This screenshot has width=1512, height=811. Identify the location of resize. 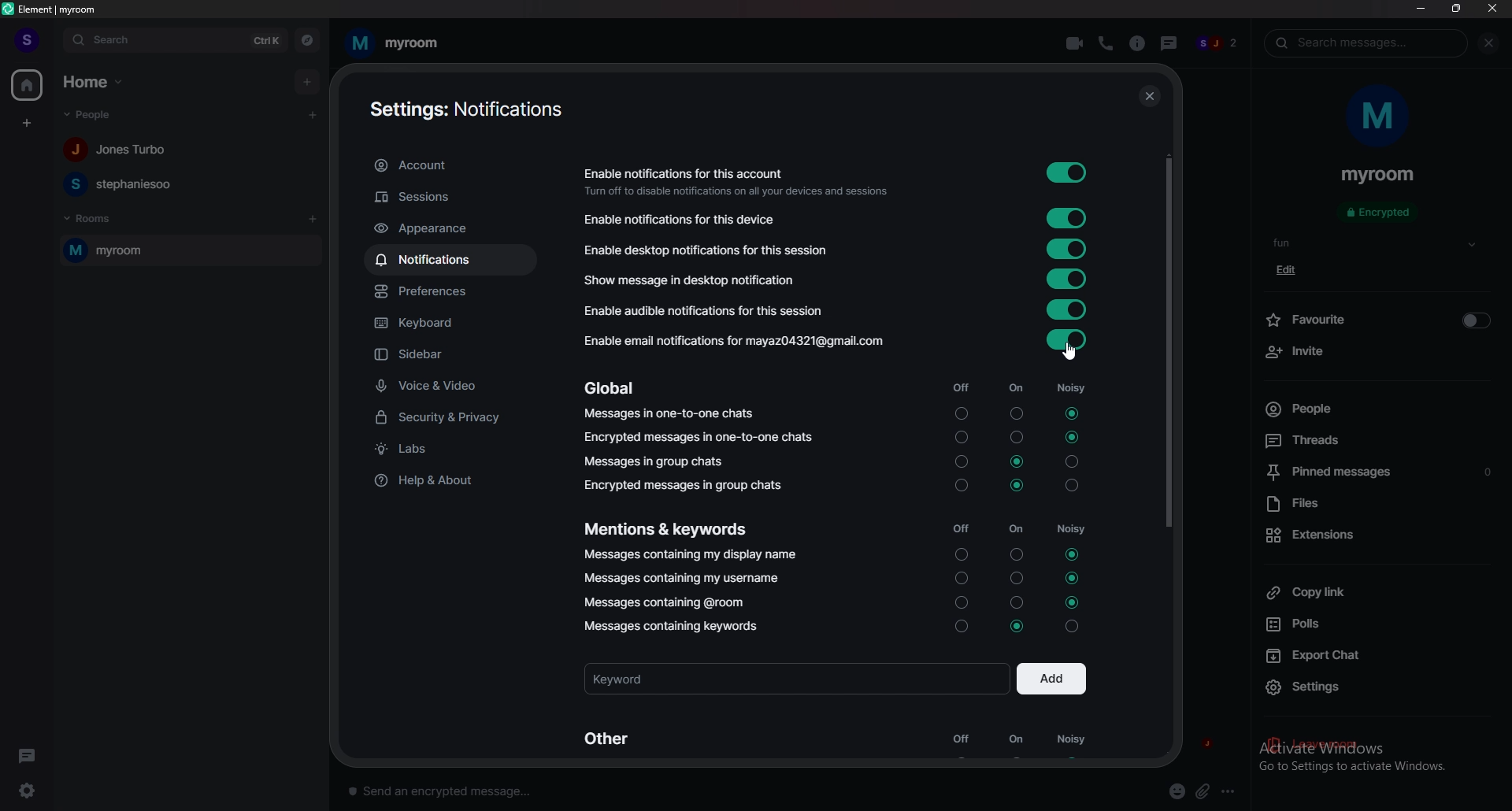
(1456, 8).